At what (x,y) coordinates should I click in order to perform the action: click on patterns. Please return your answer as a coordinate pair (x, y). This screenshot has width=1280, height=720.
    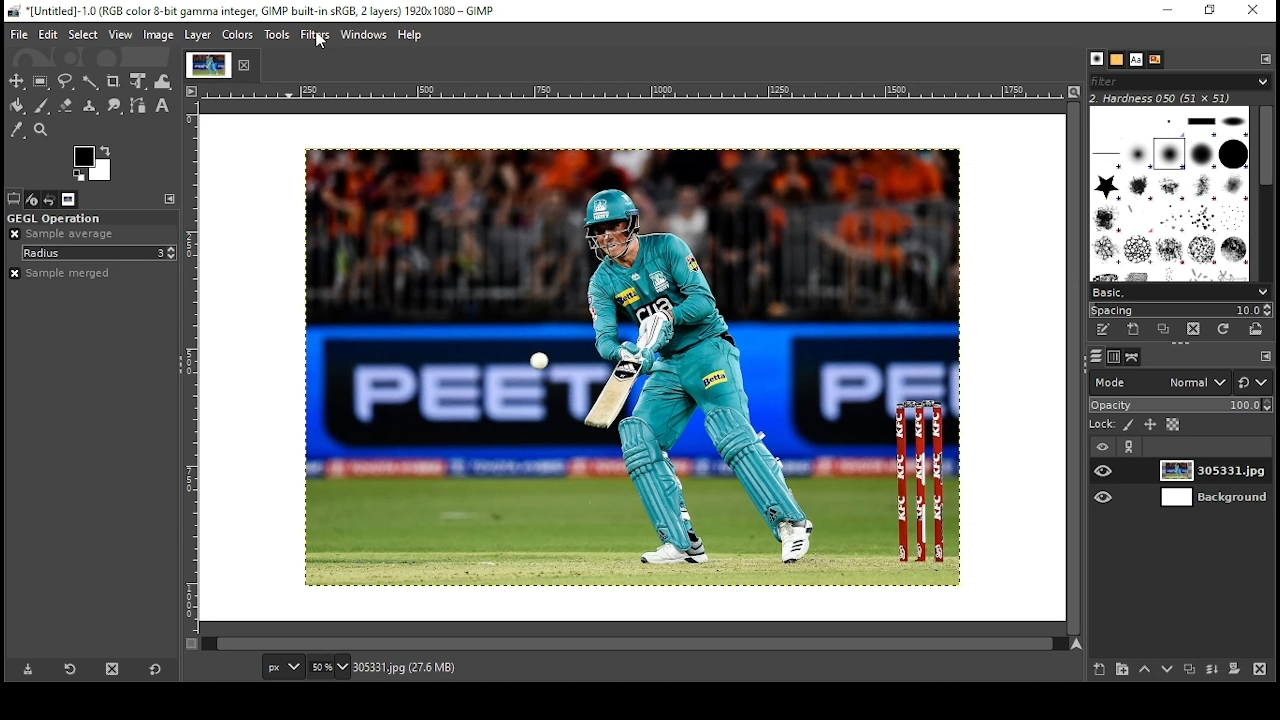
    Looking at the image, I should click on (1118, 60).